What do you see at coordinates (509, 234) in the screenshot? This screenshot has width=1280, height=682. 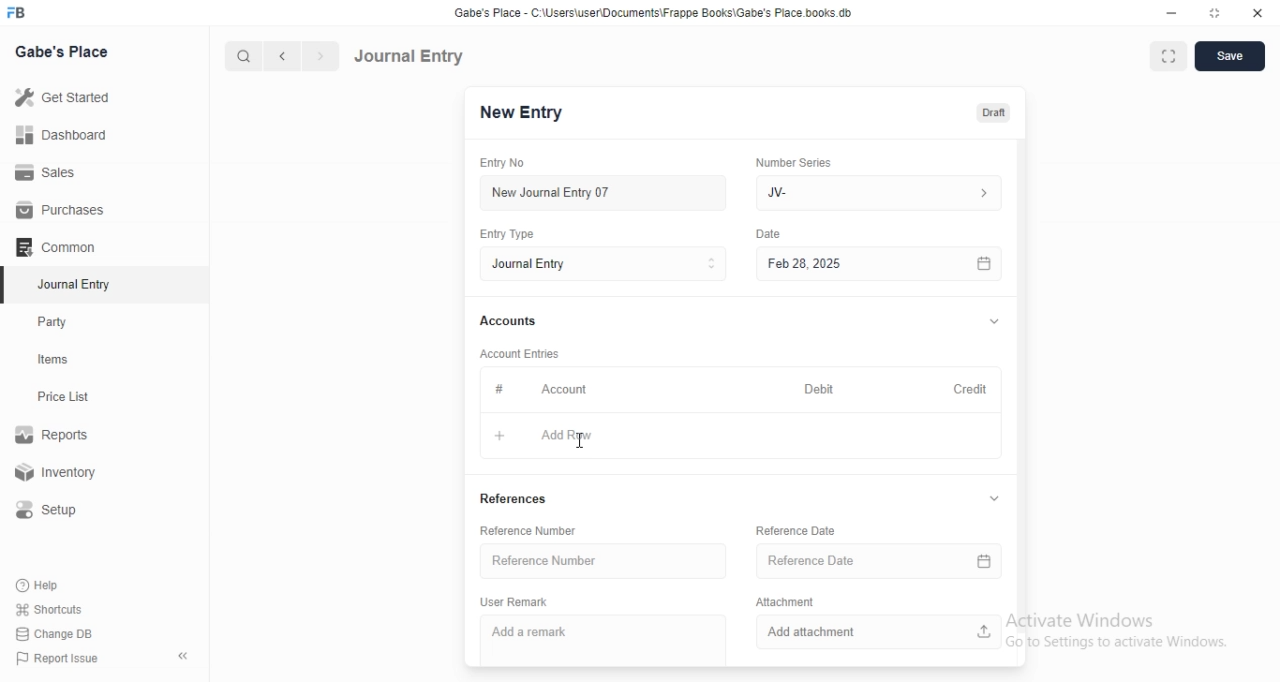 I see `Entry Type` at bounding box center [509, 234].